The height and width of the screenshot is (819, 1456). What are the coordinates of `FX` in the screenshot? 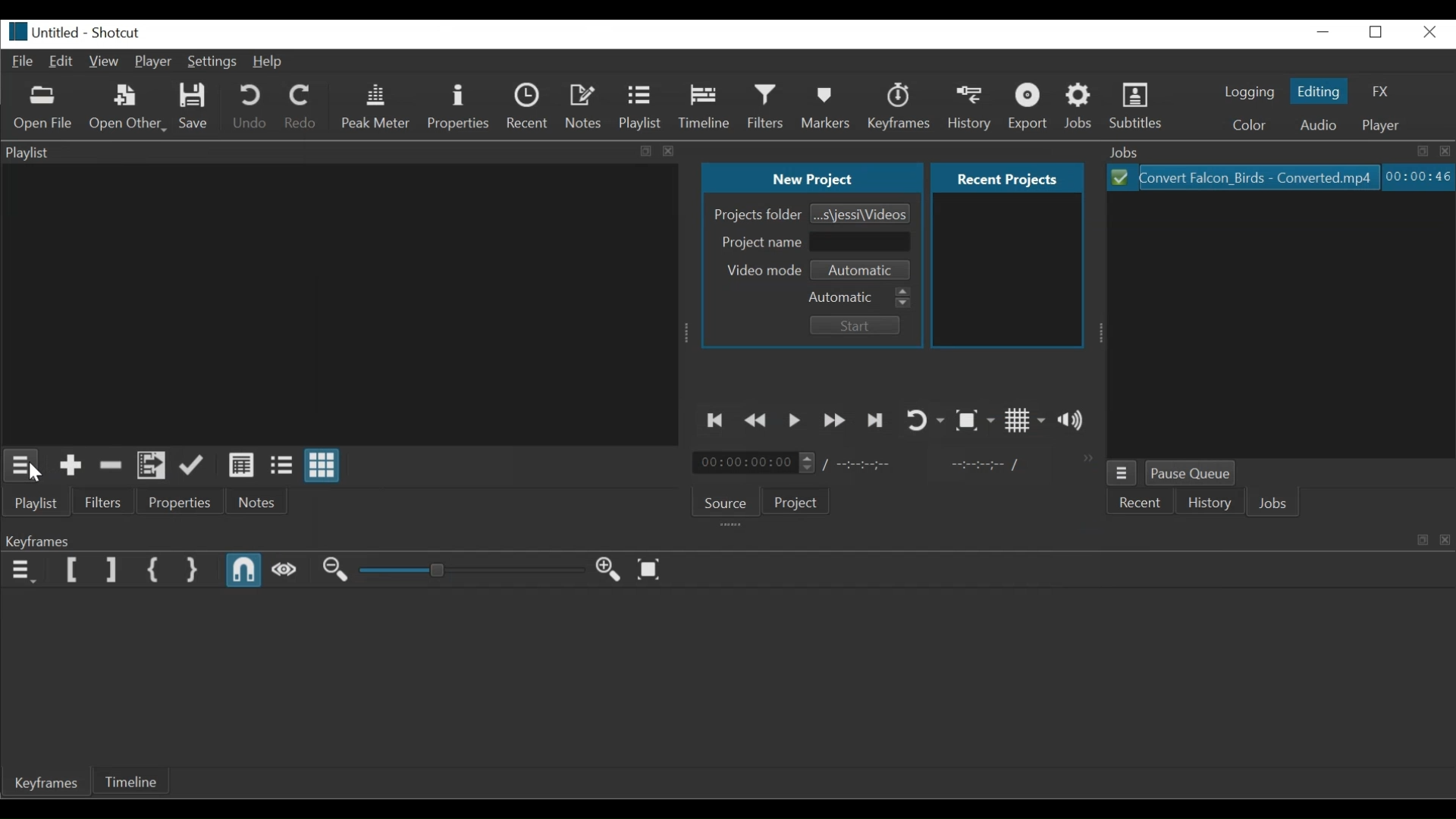 It's located at (1378, 91).